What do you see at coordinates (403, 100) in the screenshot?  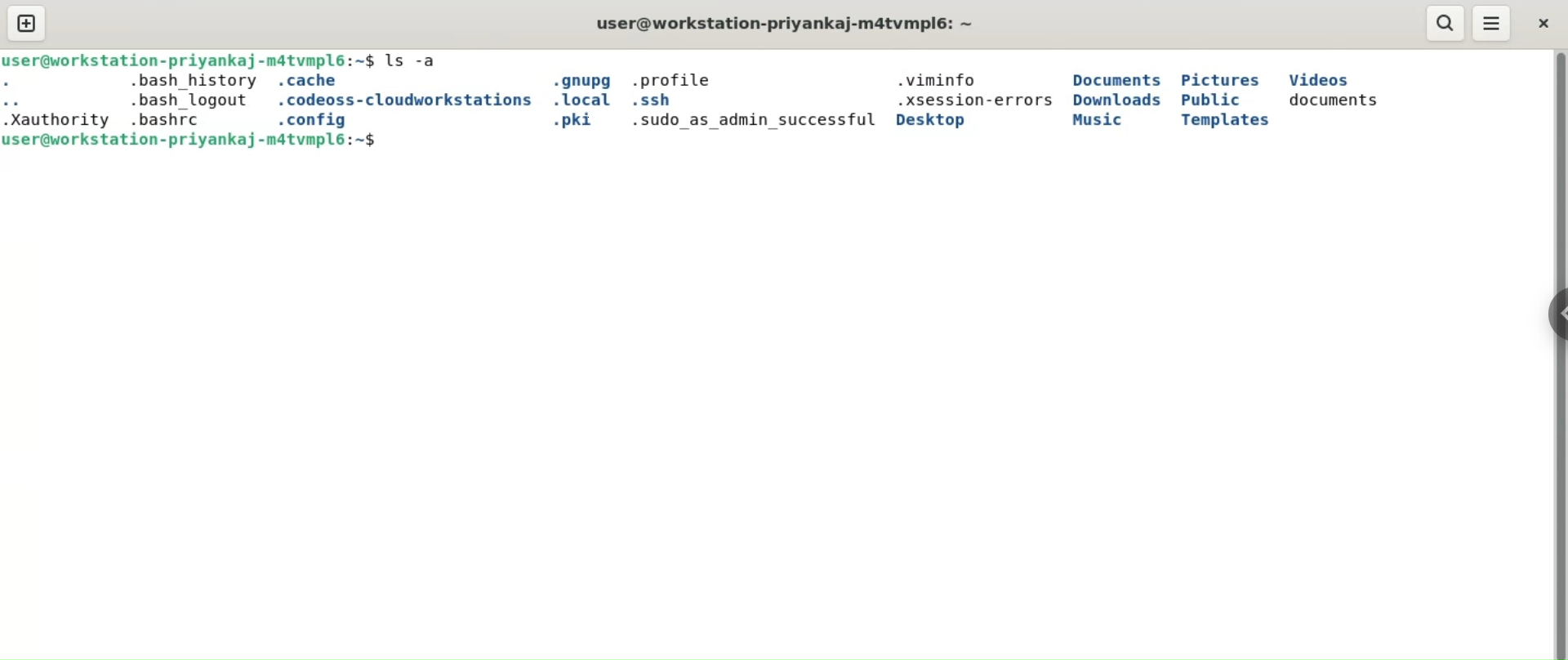 I see `.cideoss-cloudworkstaations` at bounding box center [403, 100].